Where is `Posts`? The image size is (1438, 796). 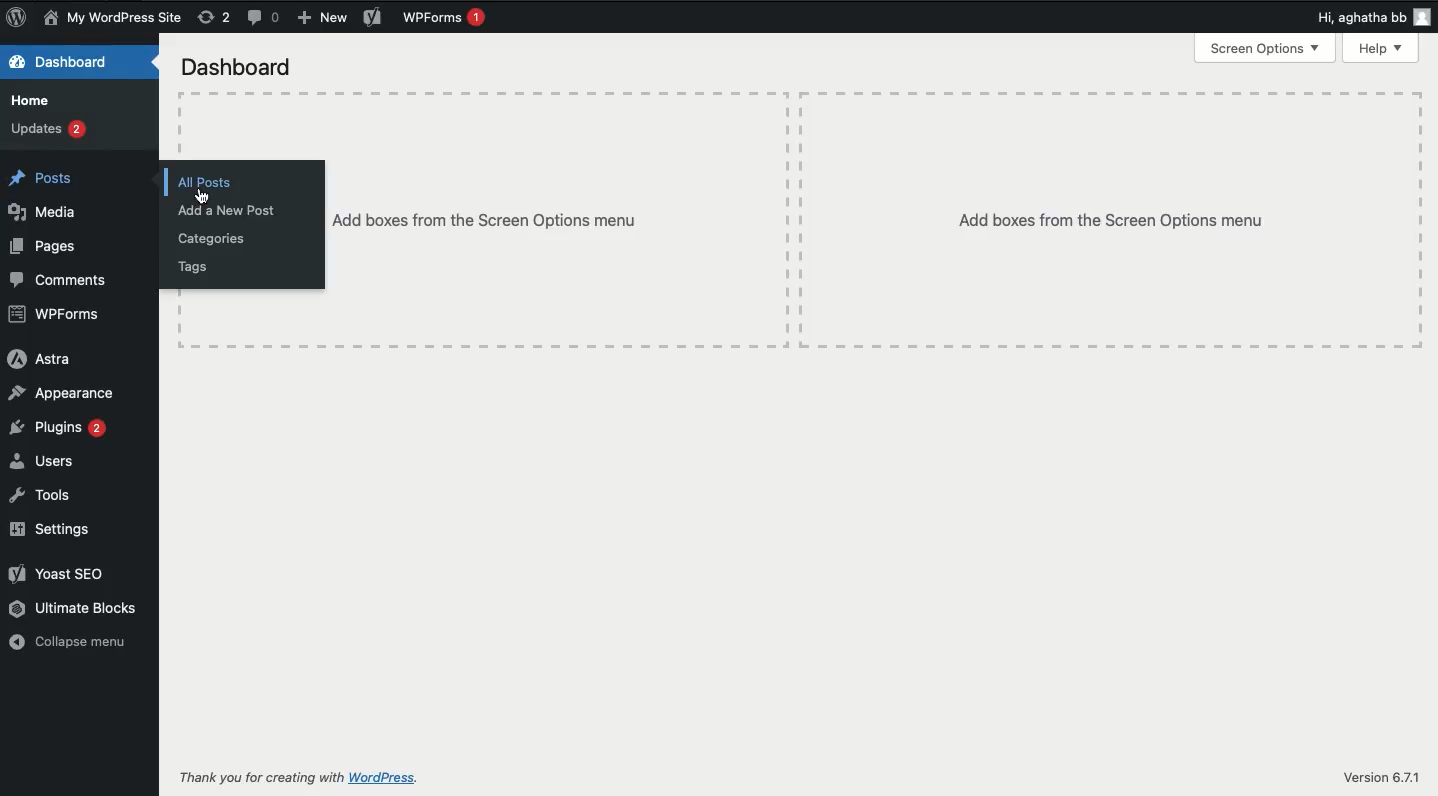 Posts is located at coordinates (51, 176).